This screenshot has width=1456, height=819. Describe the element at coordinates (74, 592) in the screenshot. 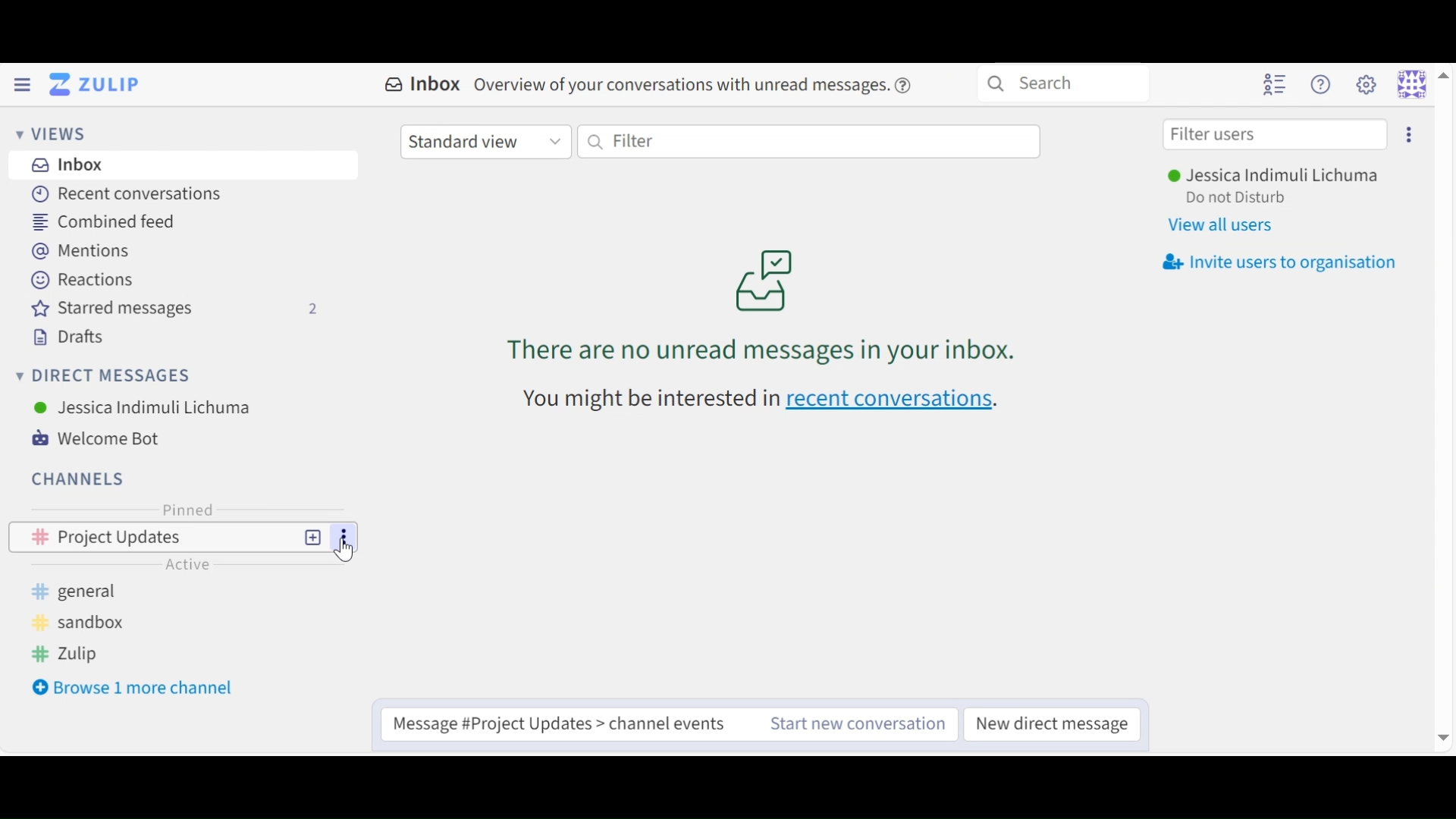

I see `general` at that location.